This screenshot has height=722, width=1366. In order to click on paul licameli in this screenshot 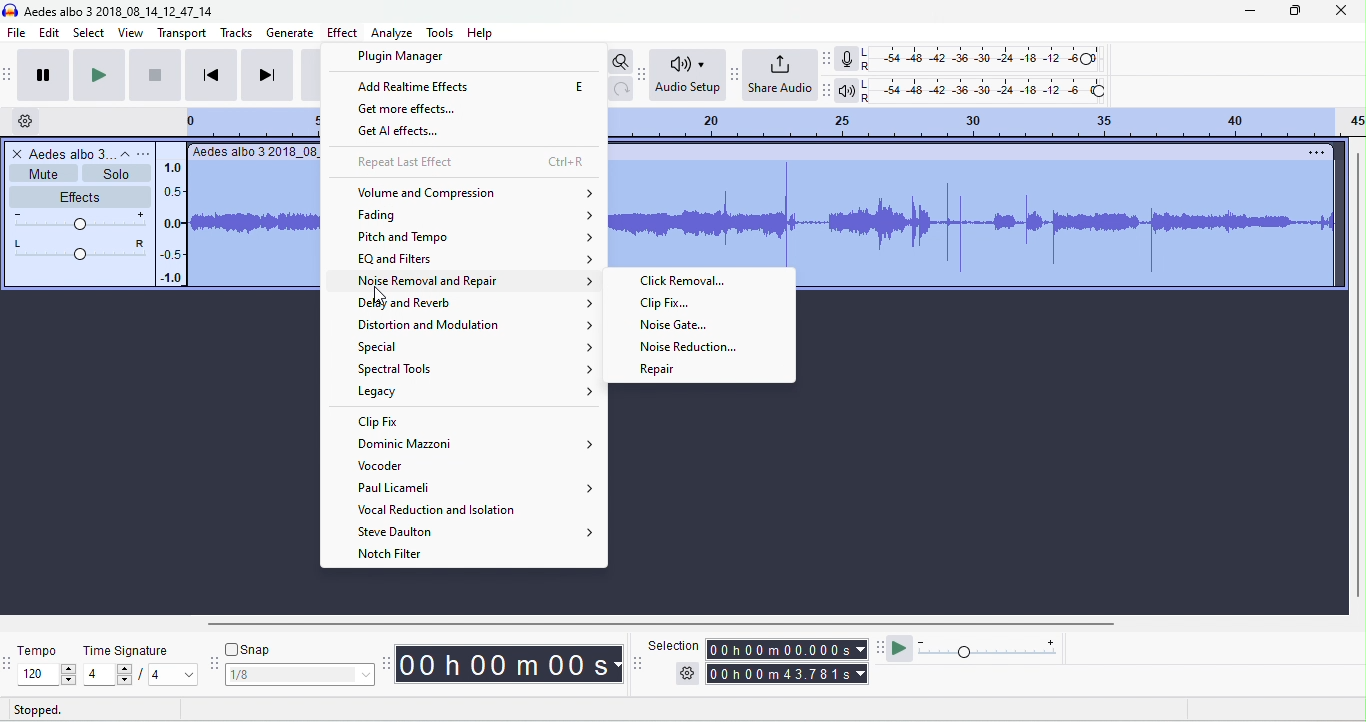, I will do `click(477, 488)`.